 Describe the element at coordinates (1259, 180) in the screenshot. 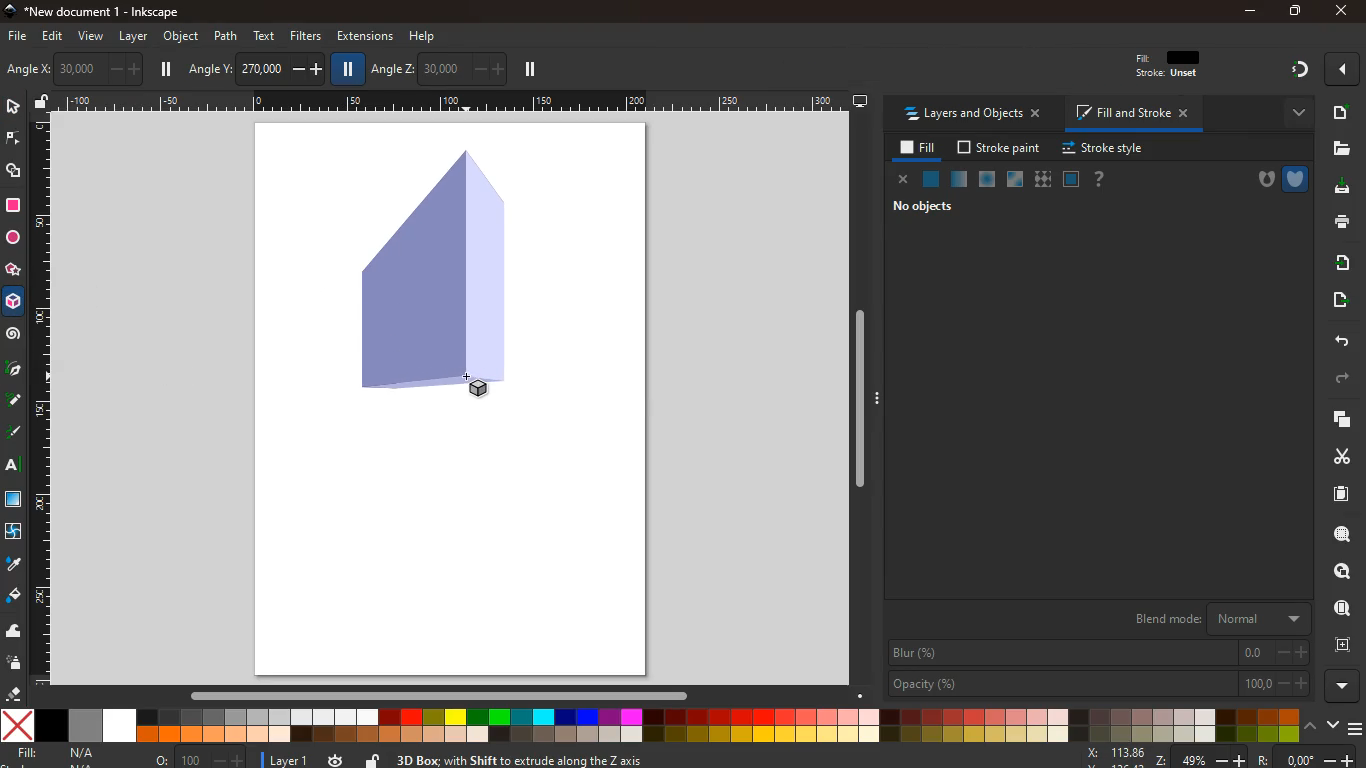

I see `hole` at that location.